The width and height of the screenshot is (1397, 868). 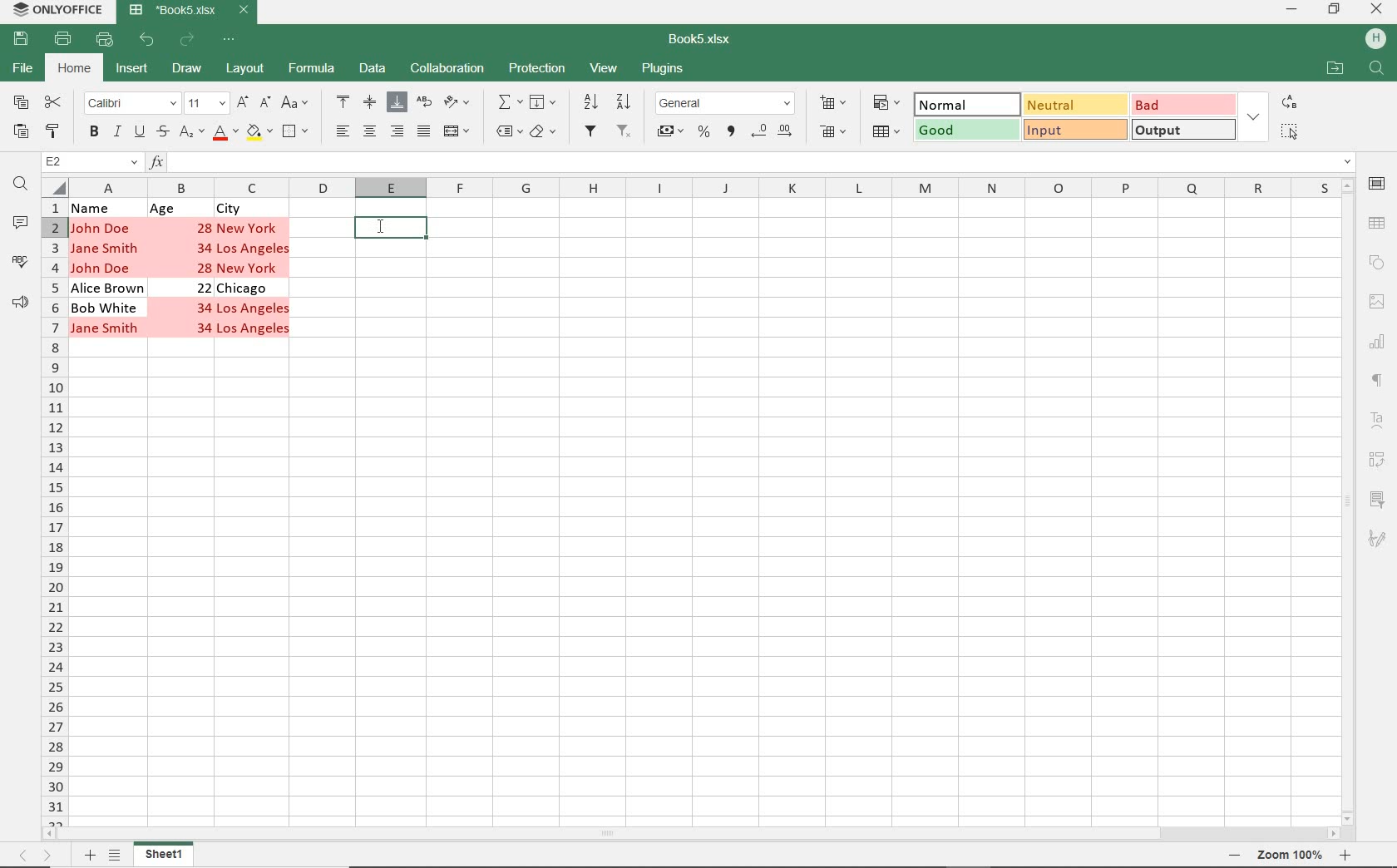 What do you see at coordinates (233, 209) in the screenshot?
I see `City` at bounding box center [233, 209].